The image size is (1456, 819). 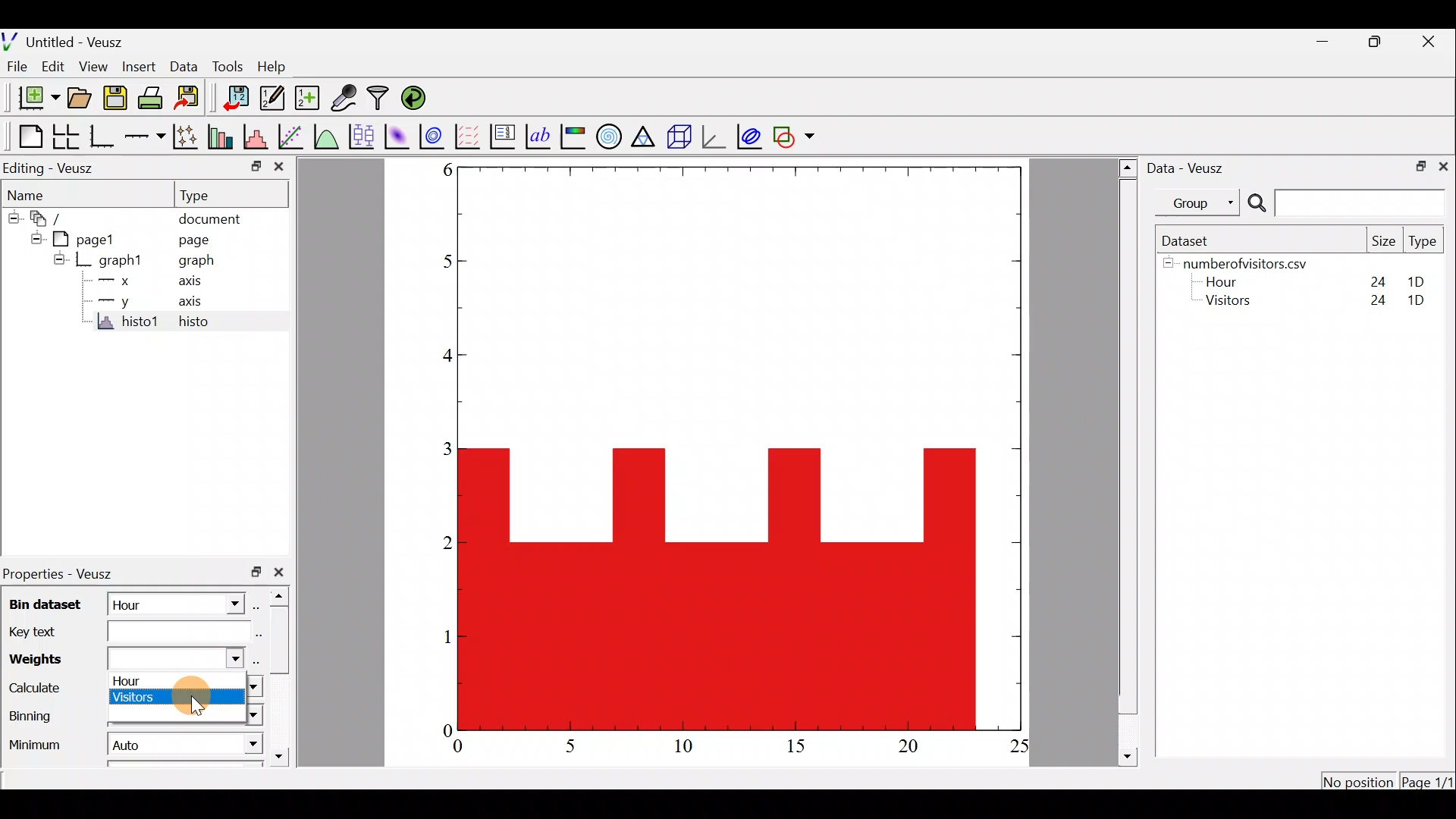 I want to click on plot a 2d dataset as contours, so click(x=431, y=136).